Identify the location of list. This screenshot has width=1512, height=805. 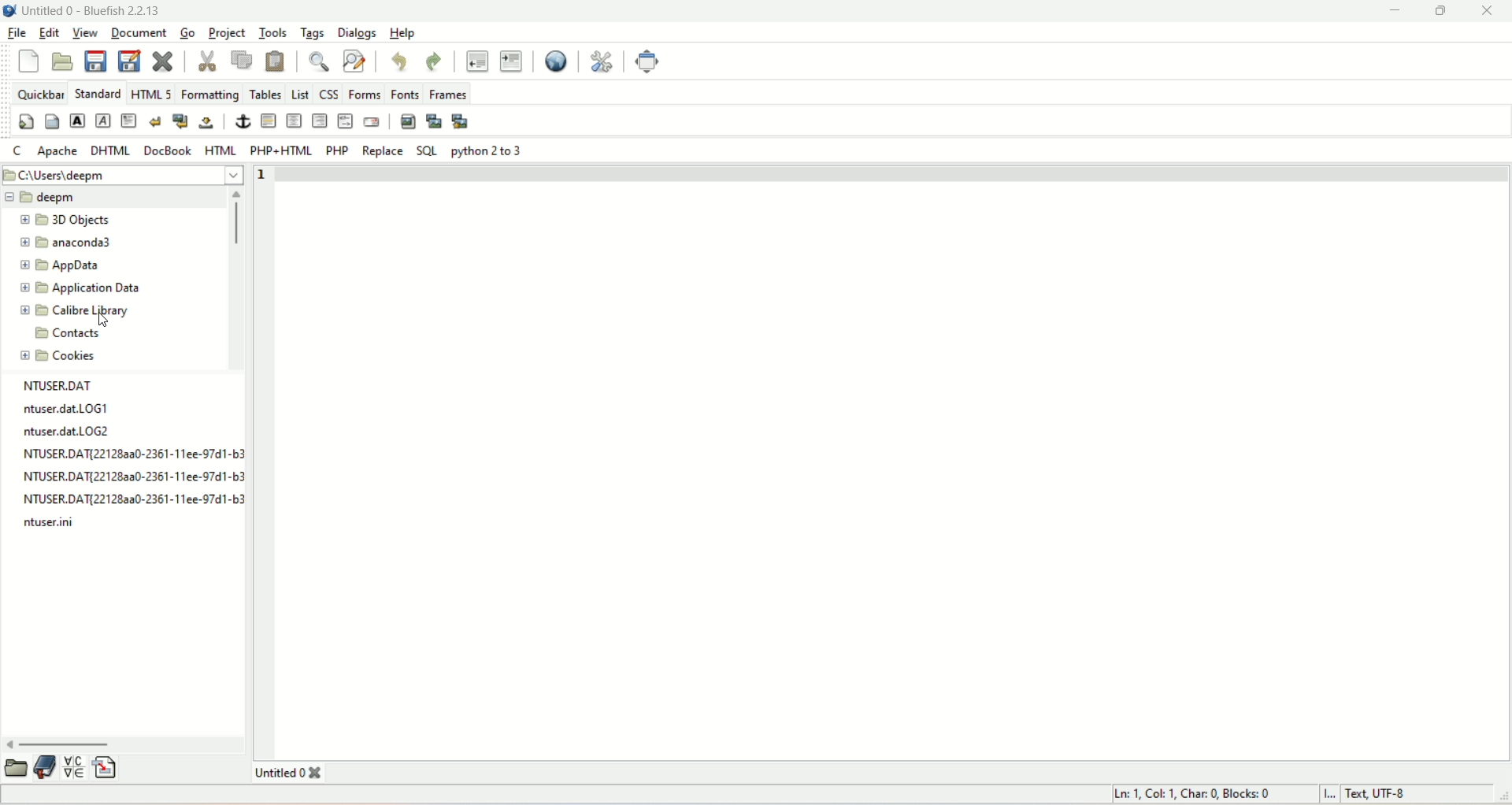
(298, 91).